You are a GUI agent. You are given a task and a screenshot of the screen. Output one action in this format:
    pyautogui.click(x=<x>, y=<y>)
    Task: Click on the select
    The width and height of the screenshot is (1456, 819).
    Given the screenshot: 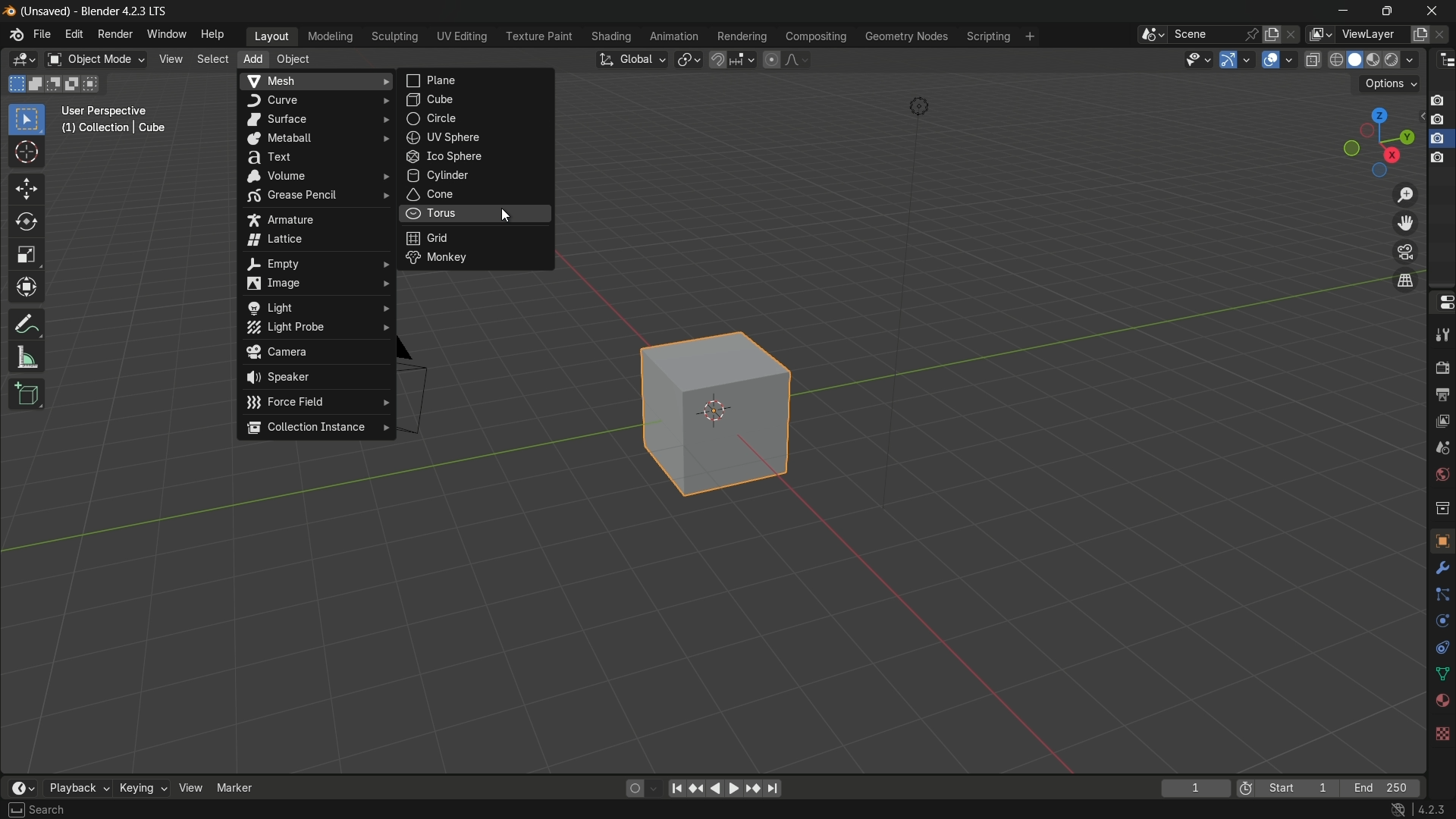 What is the action you would take?
    pyautogui.click(x=211, y=59)
    